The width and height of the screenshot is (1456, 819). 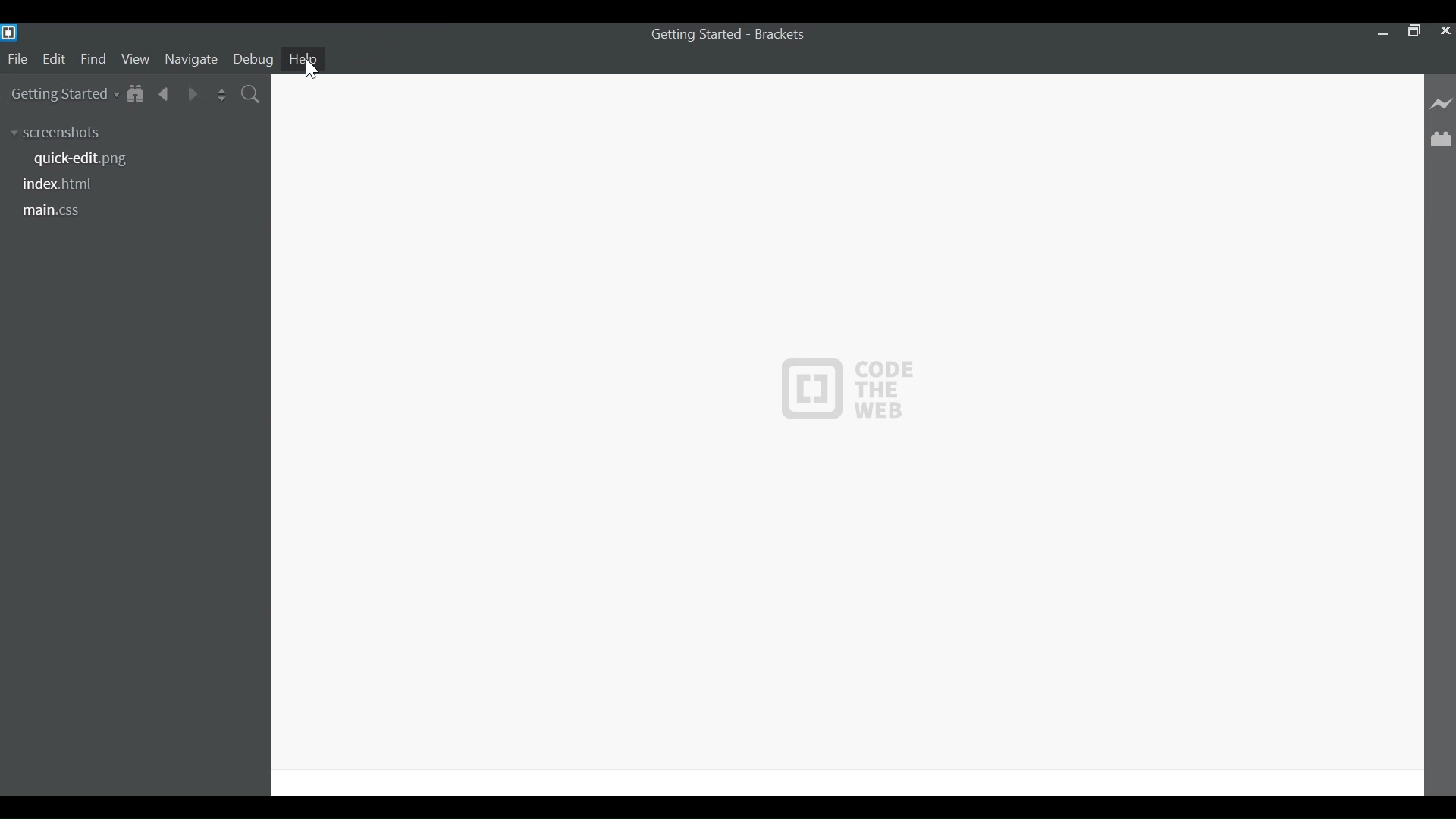 I want to click on index html File, so click(x=62, y=184).